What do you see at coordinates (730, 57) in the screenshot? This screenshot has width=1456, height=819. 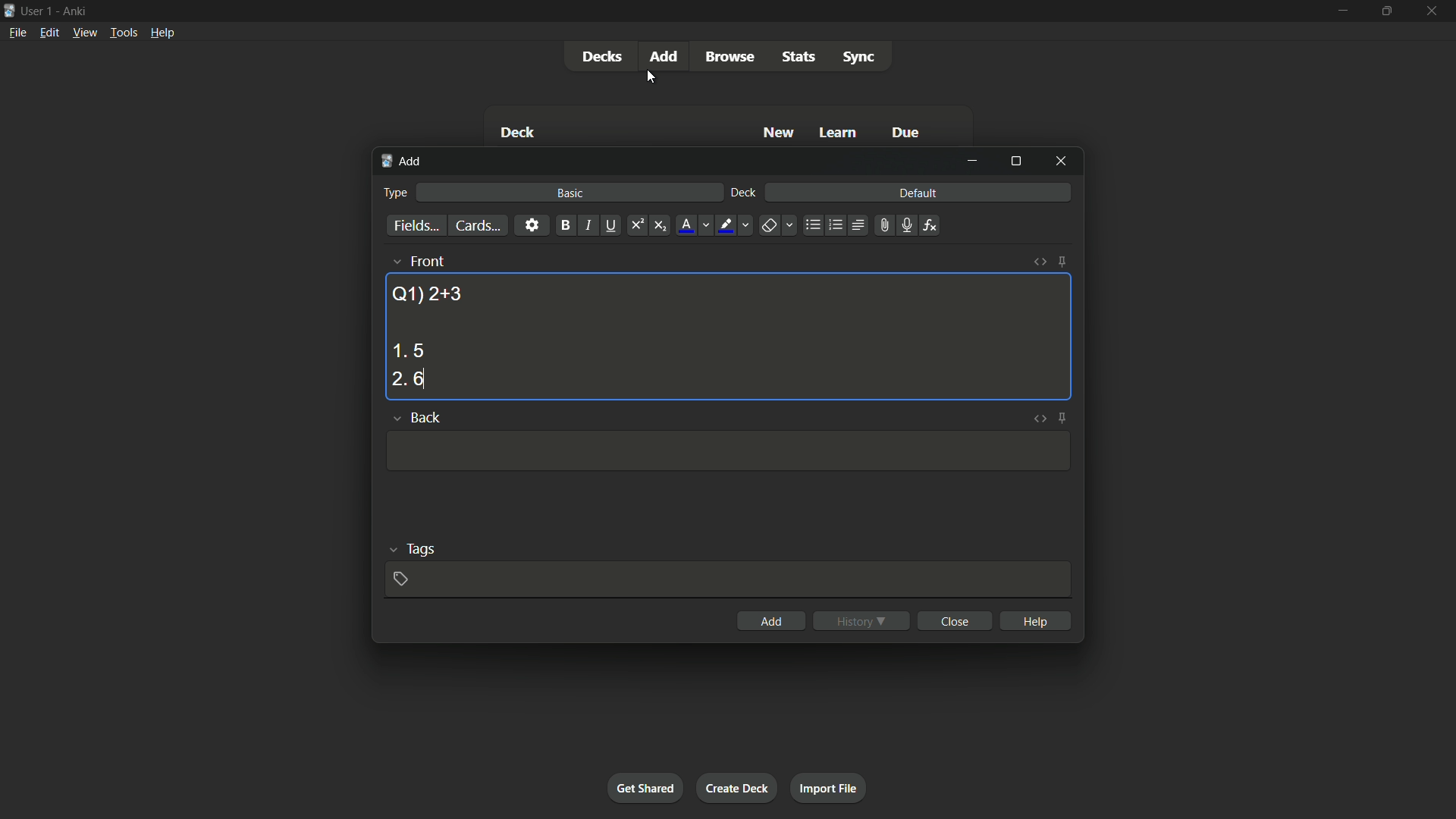 I see `browse` at bounding box center [730, 57].